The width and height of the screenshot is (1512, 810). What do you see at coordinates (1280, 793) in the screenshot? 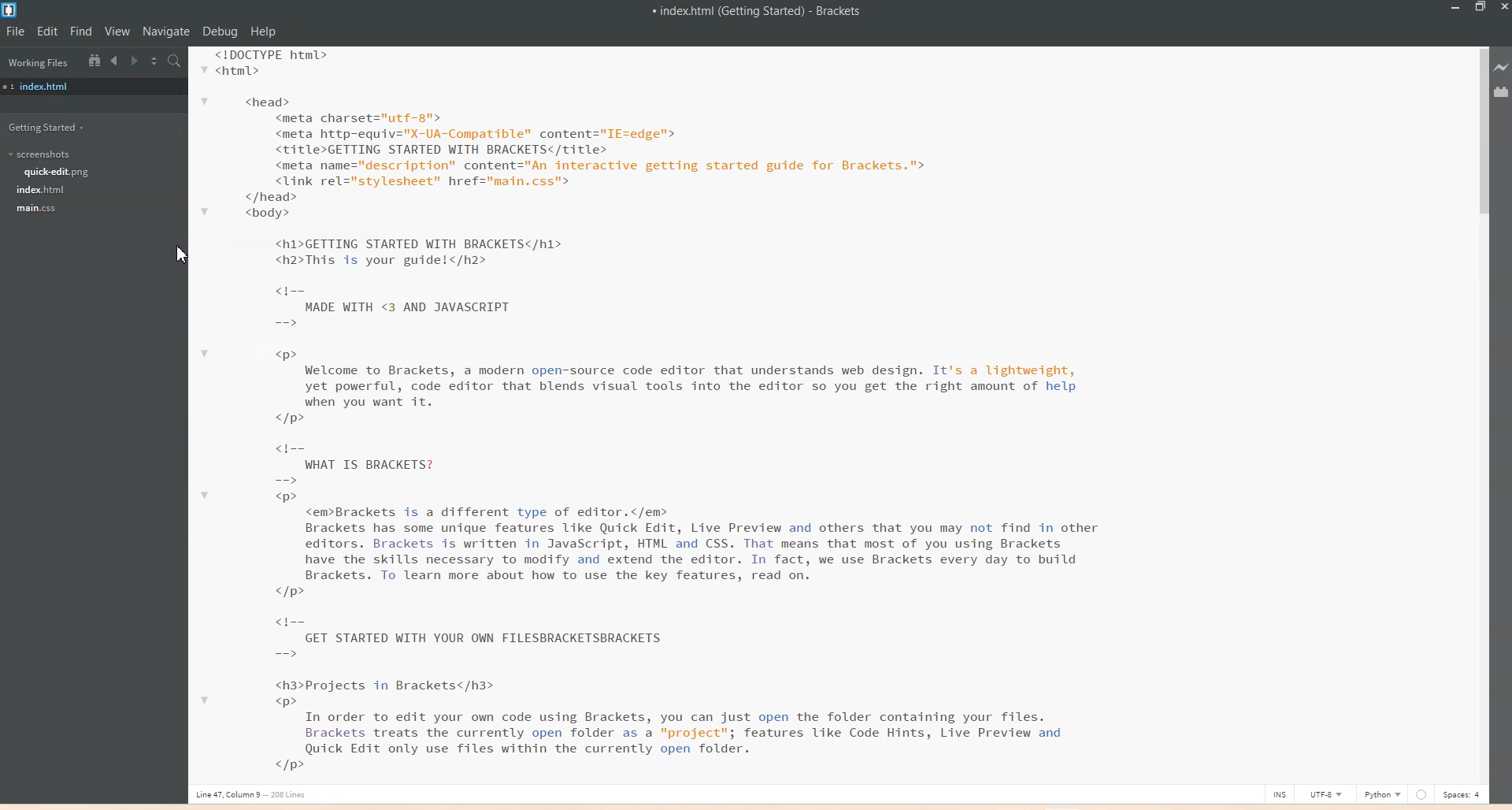
I see `INS` at bounding box center [1280, 793].